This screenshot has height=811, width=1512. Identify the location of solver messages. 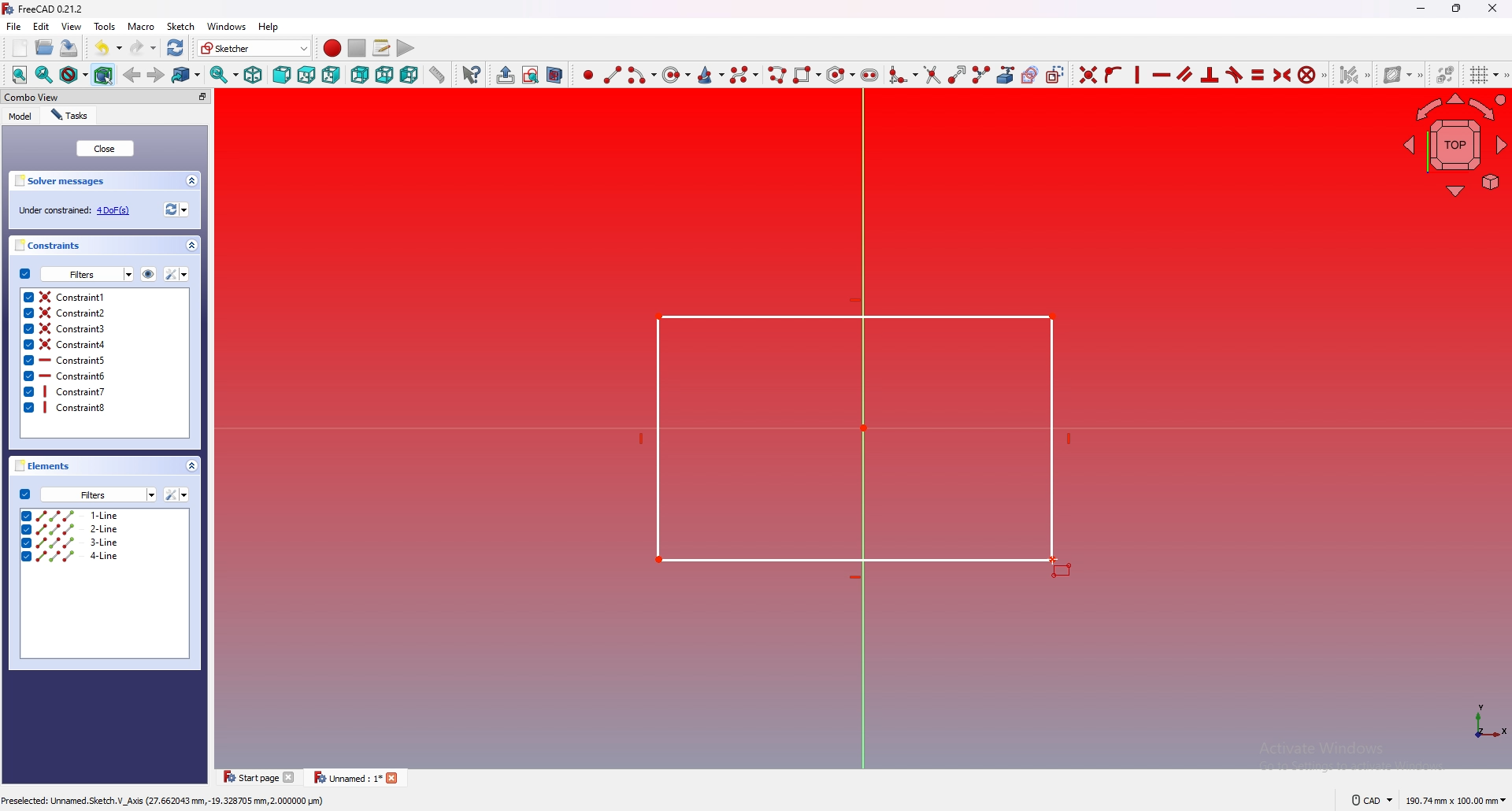
(61, 181).